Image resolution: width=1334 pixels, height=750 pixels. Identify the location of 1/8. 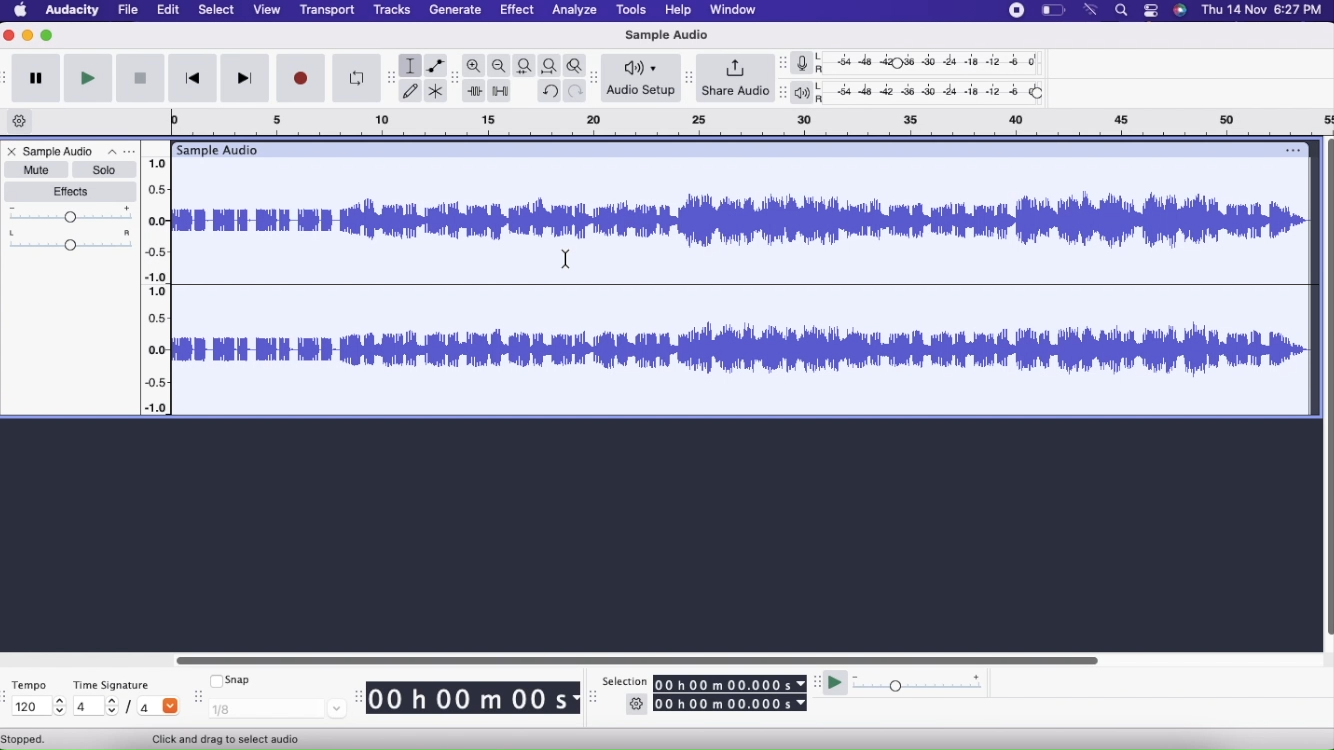
(277, 710).